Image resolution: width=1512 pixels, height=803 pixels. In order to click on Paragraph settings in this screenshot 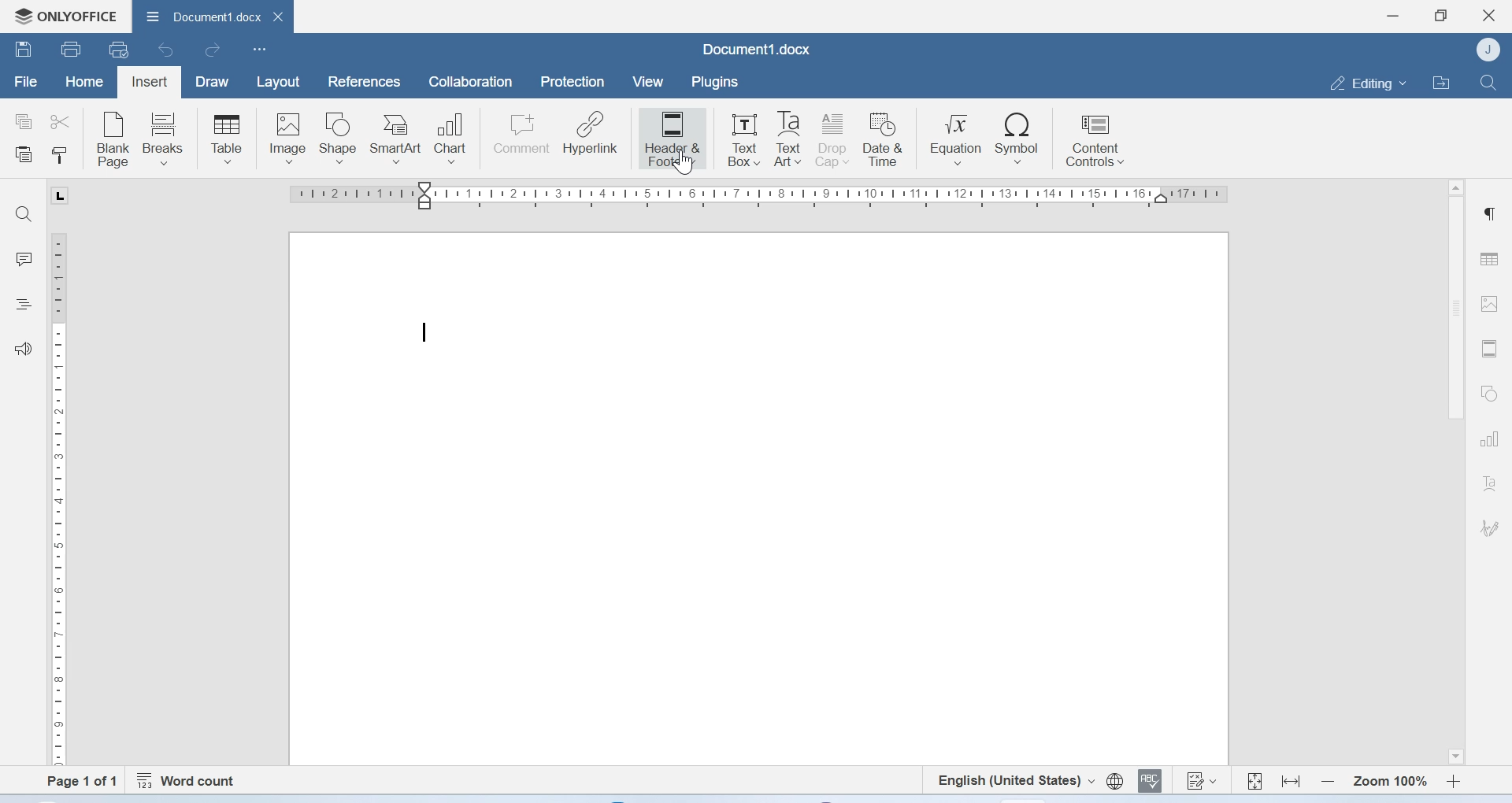, I will do `click(1492, 214)`.